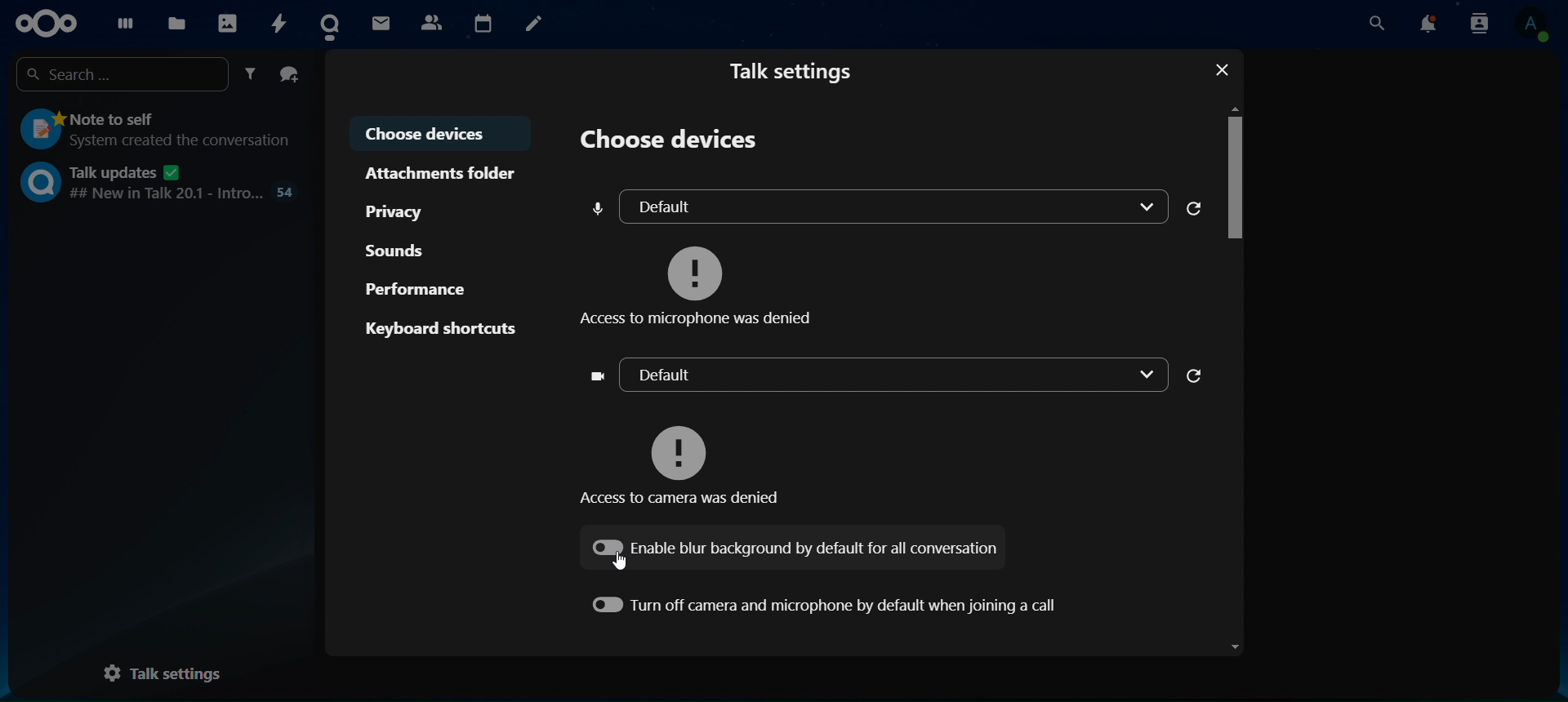 Image resolution: width=1568 pixels, height=702 pixels. Describe the element at coordinates (394, 251) in the screenshot. I see `sounds` at that location.